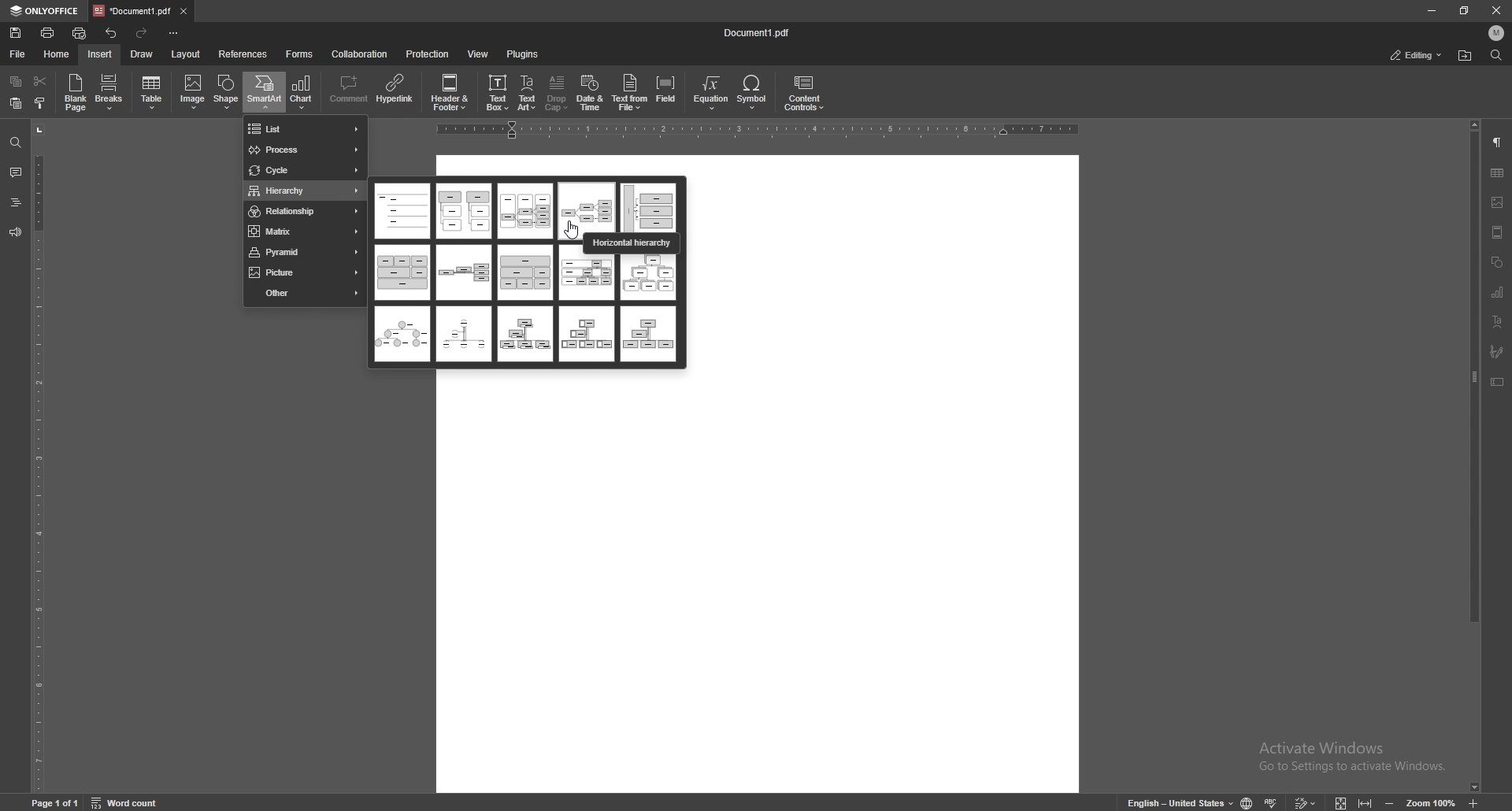 The height and width of the screenshot is (811, 1512). Describe the element at coordinates (306, 192) in the screenshot. I see `hierarchy` at that location.